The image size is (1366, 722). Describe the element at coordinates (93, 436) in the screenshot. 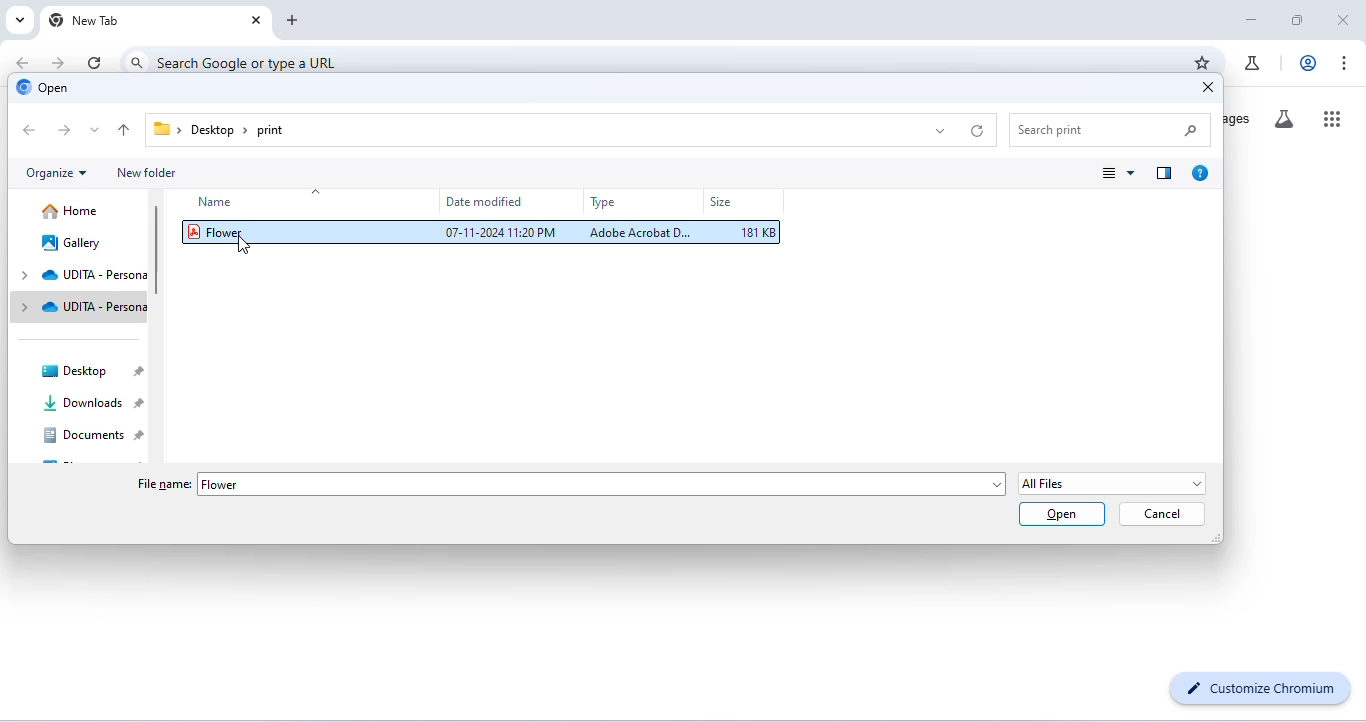

I see `documents` at that location.